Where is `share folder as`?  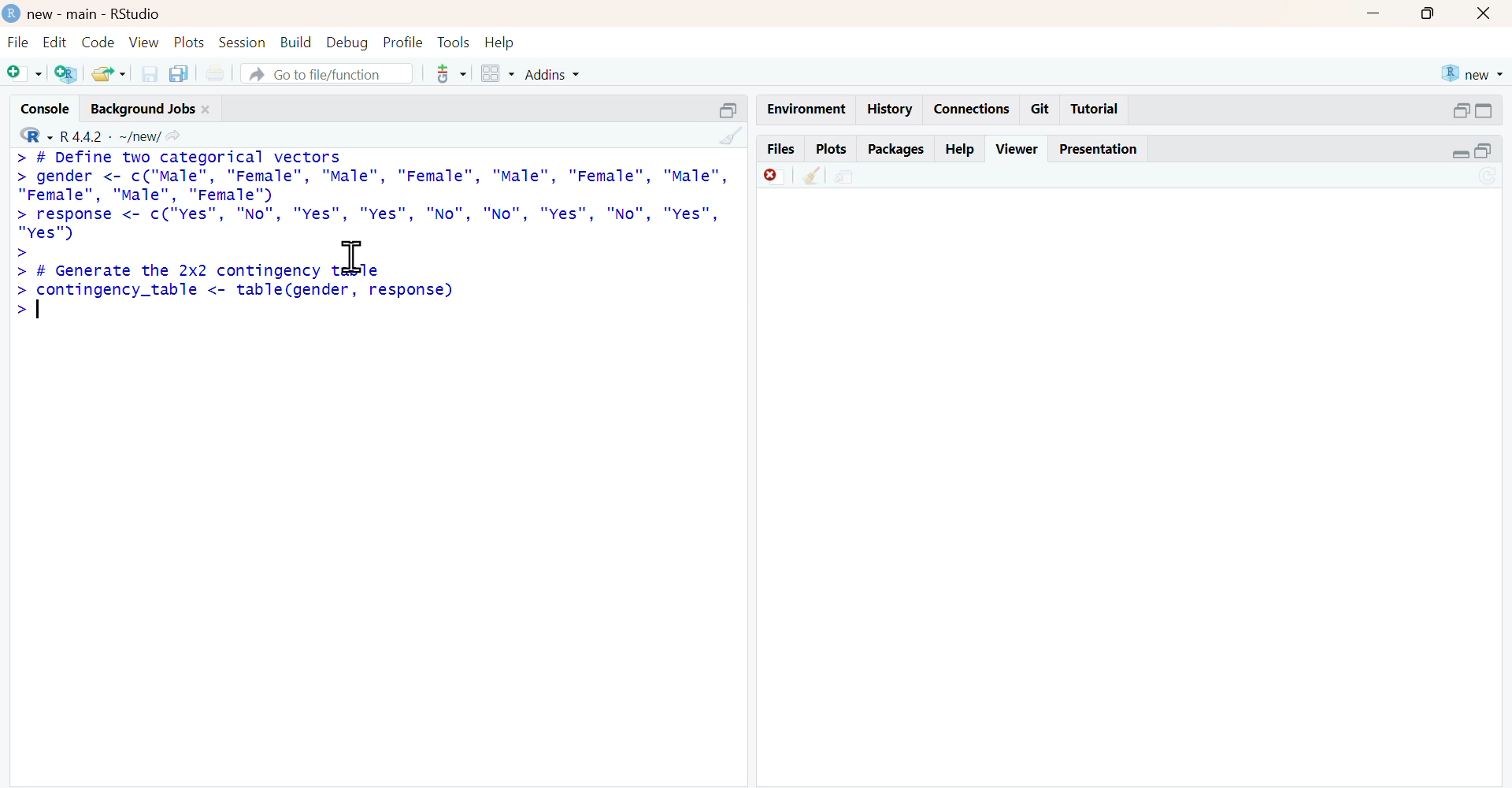 share folder as is located at coordinates (109, 73).